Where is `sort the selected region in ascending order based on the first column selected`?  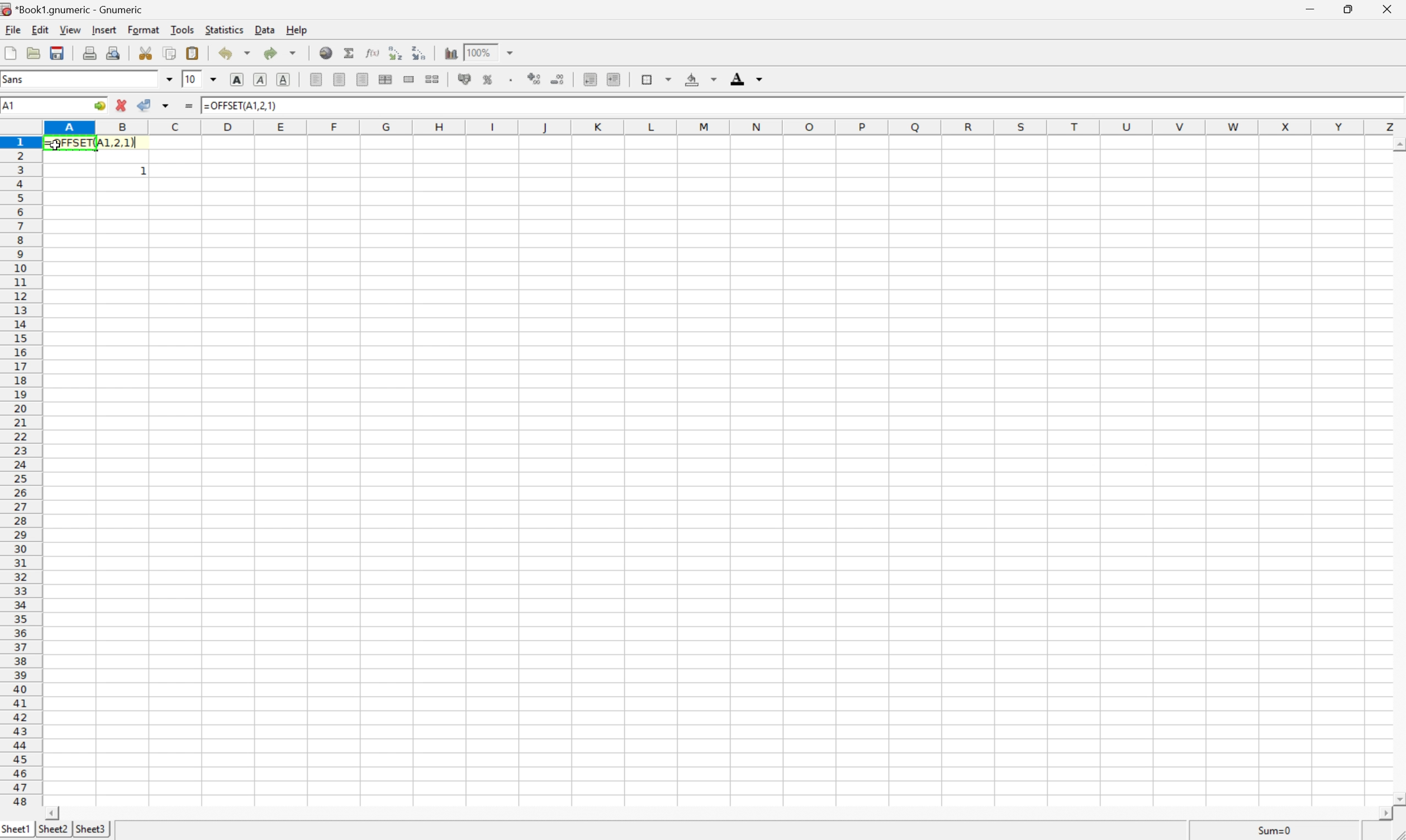
sort the selected region in ascending order based on the first column selected is located at coordinates (396, 53).